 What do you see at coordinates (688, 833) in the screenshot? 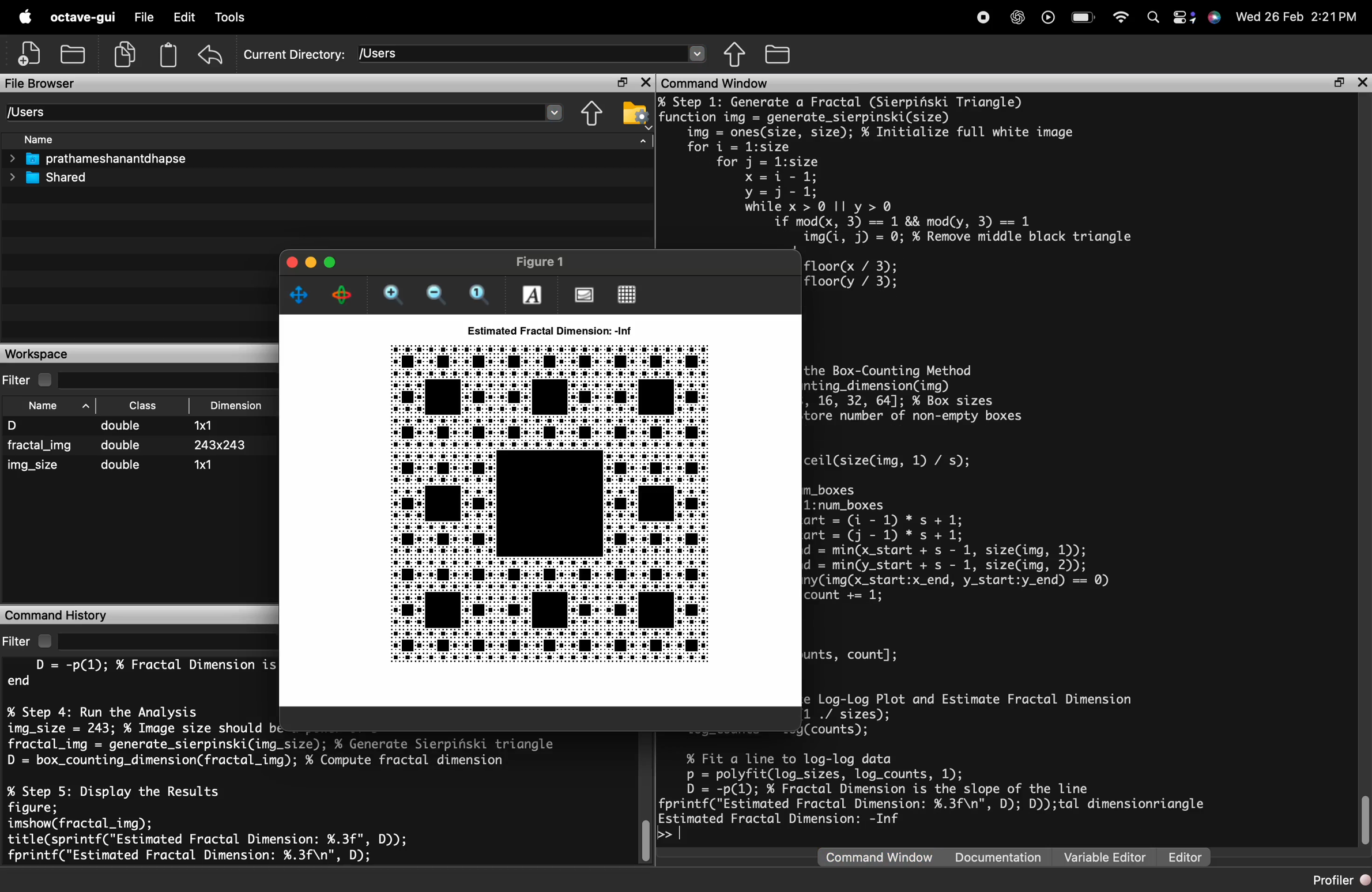
I see `typing cursor` at bounding box center [688, 833].